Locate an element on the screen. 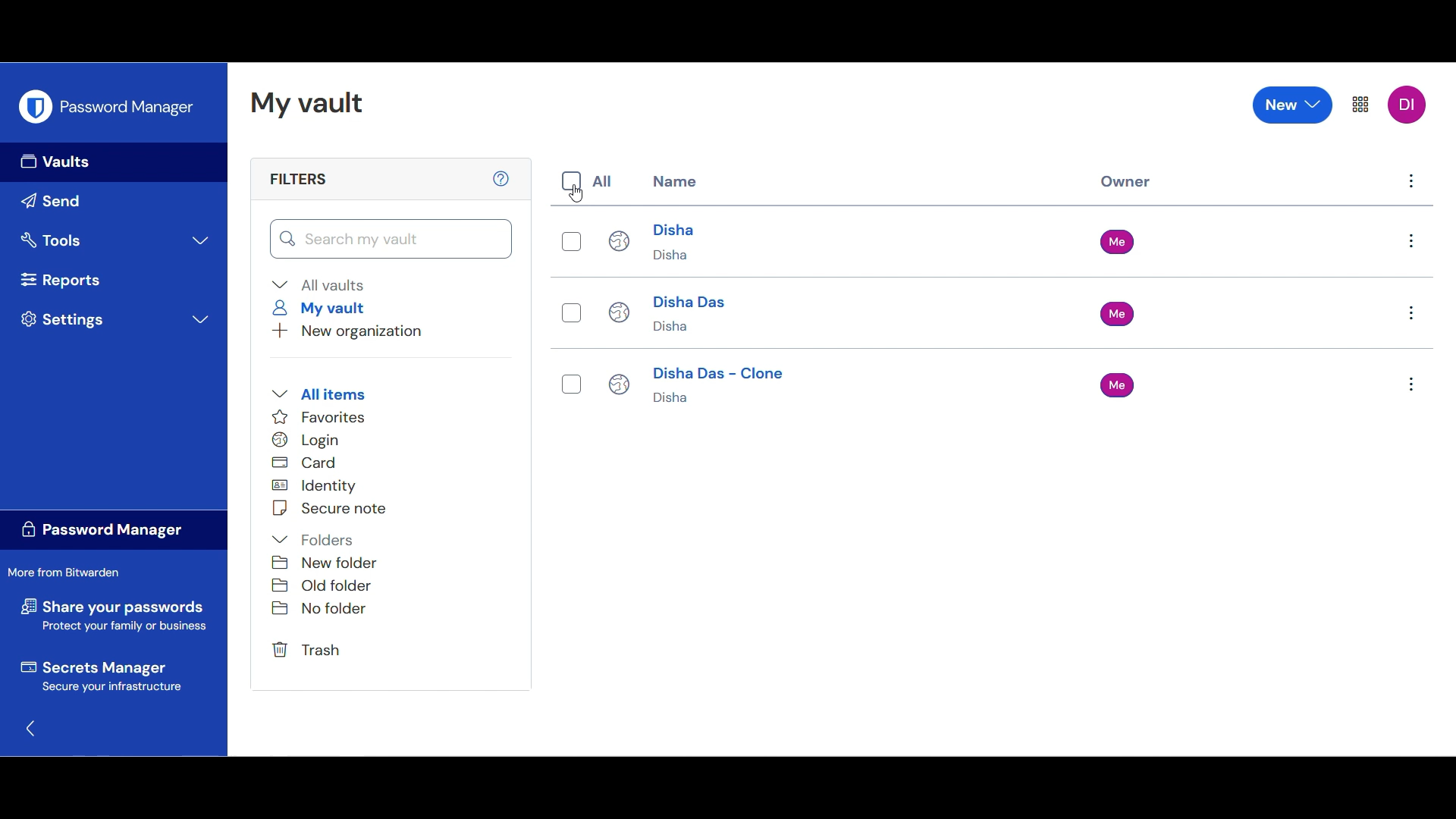 The image size is (1456, 819). Name column is located at coordinates (675, 180).